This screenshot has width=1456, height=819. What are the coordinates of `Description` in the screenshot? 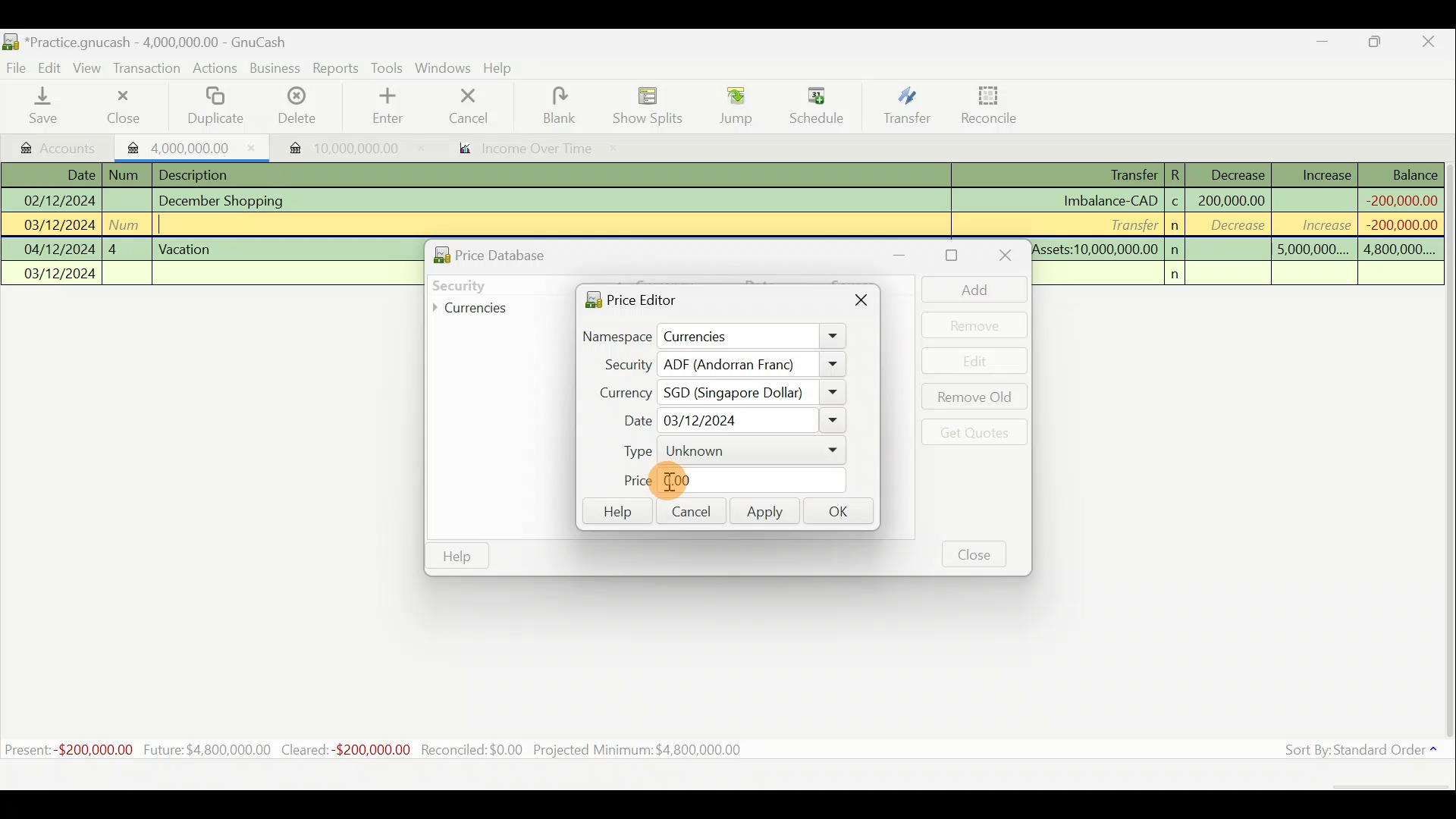 It's located at (199, 173).